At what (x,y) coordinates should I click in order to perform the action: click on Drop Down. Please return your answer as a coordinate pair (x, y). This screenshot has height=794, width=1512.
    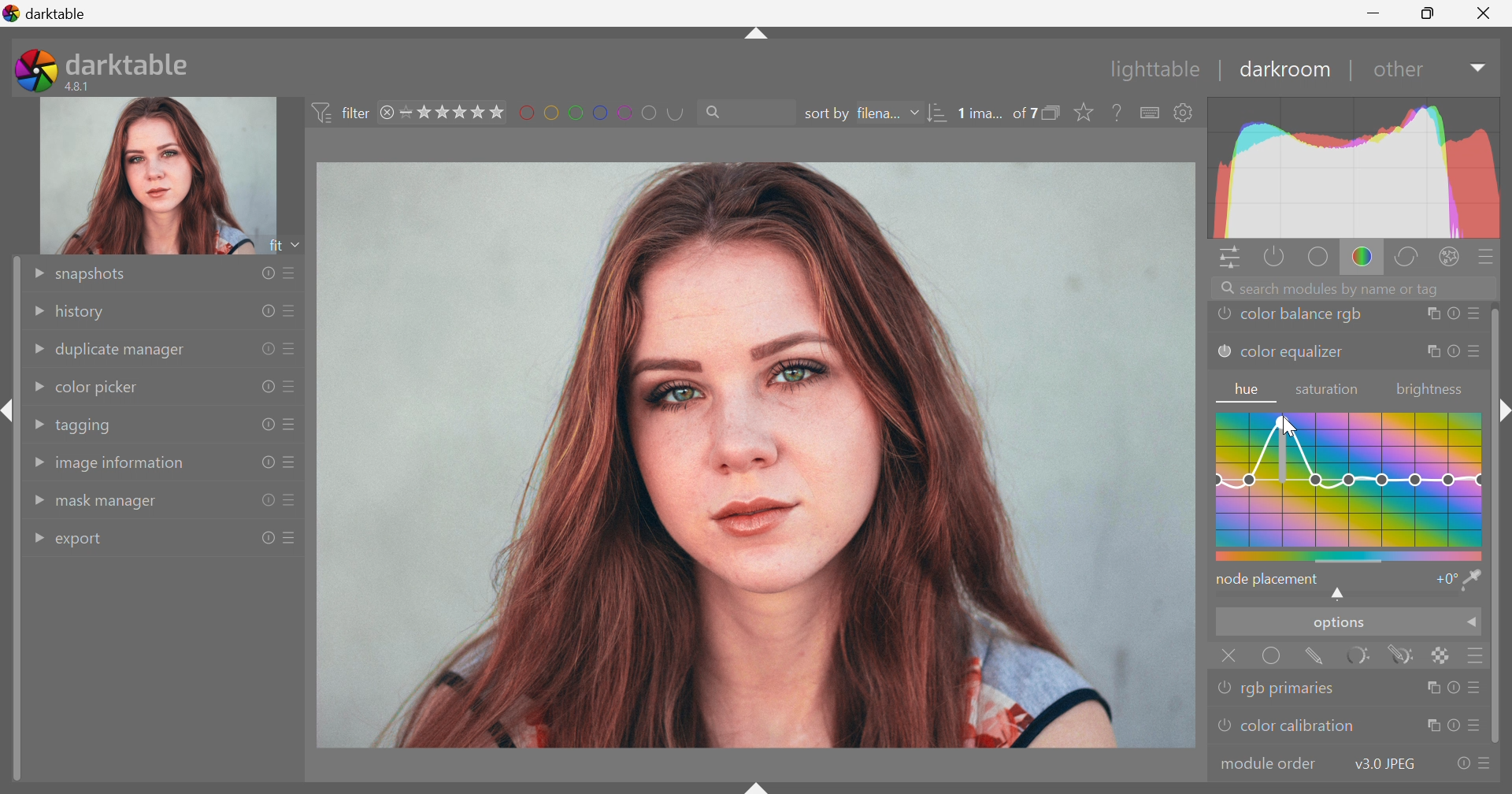
    Looking at the image, I should click on (32, 273).